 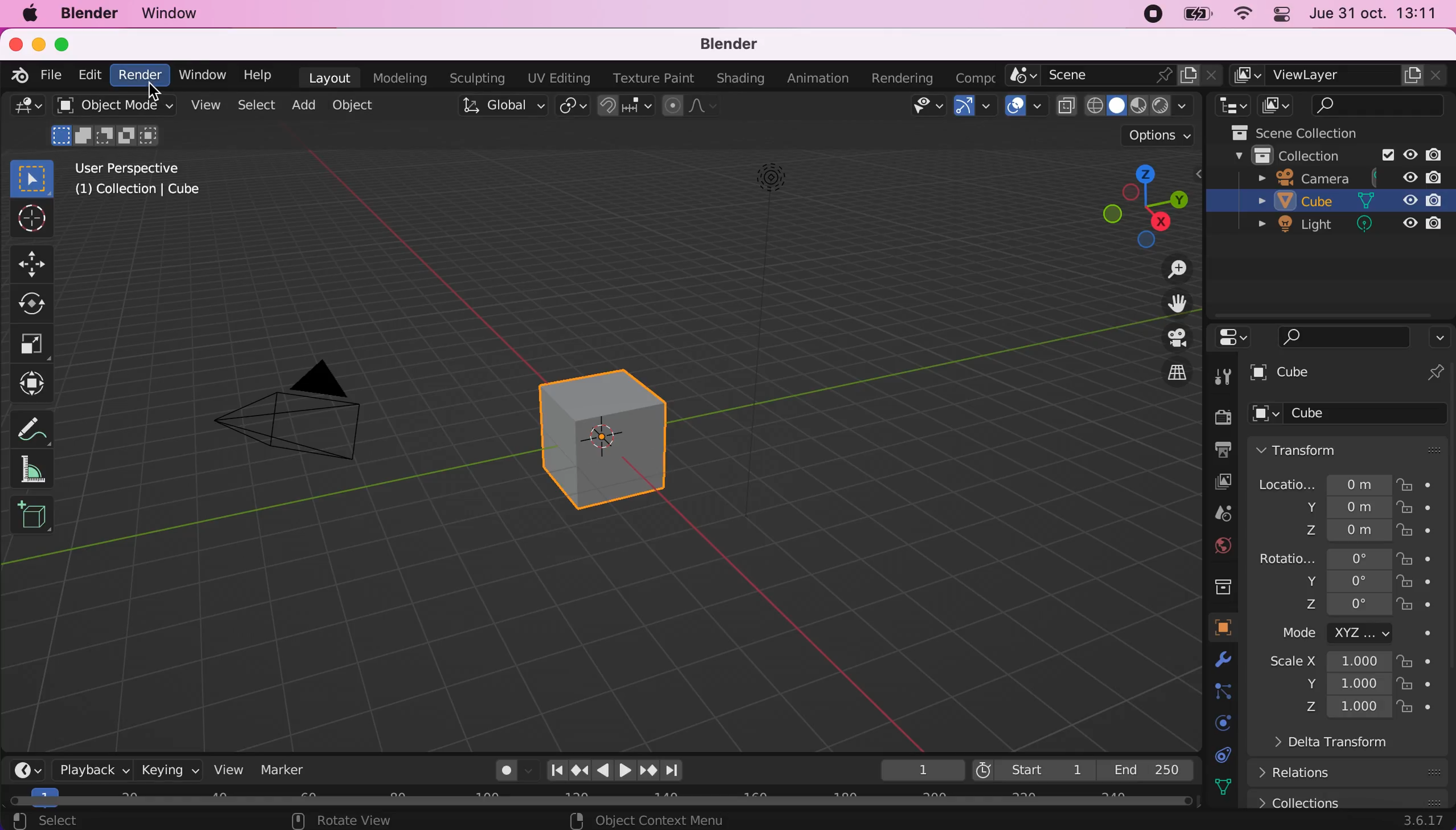 What do you see at coordinates (32, 264) in the screenshot?
I see `move` at bounding box center [32, 264].